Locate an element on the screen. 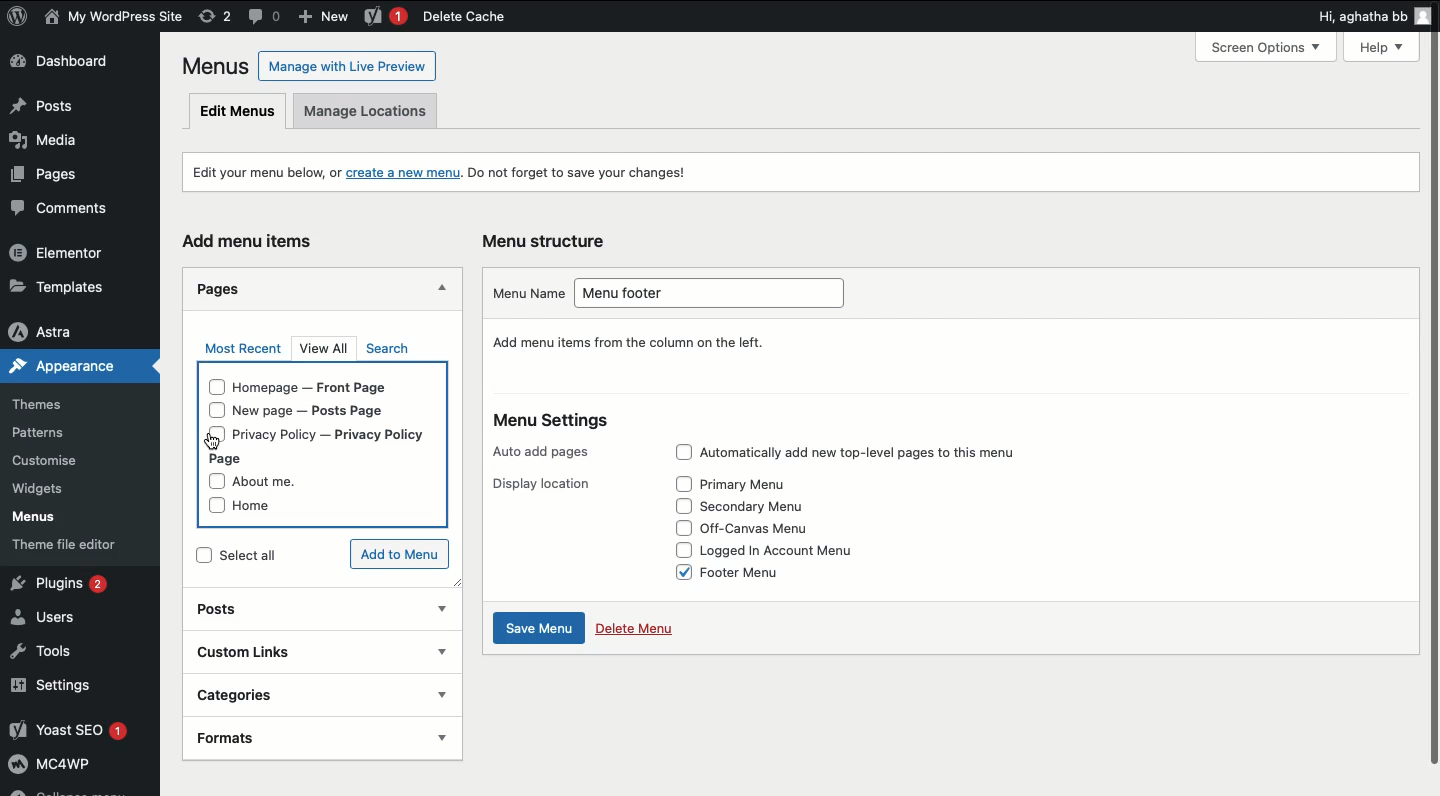  Add to menu is located at coordinates (393, 553).